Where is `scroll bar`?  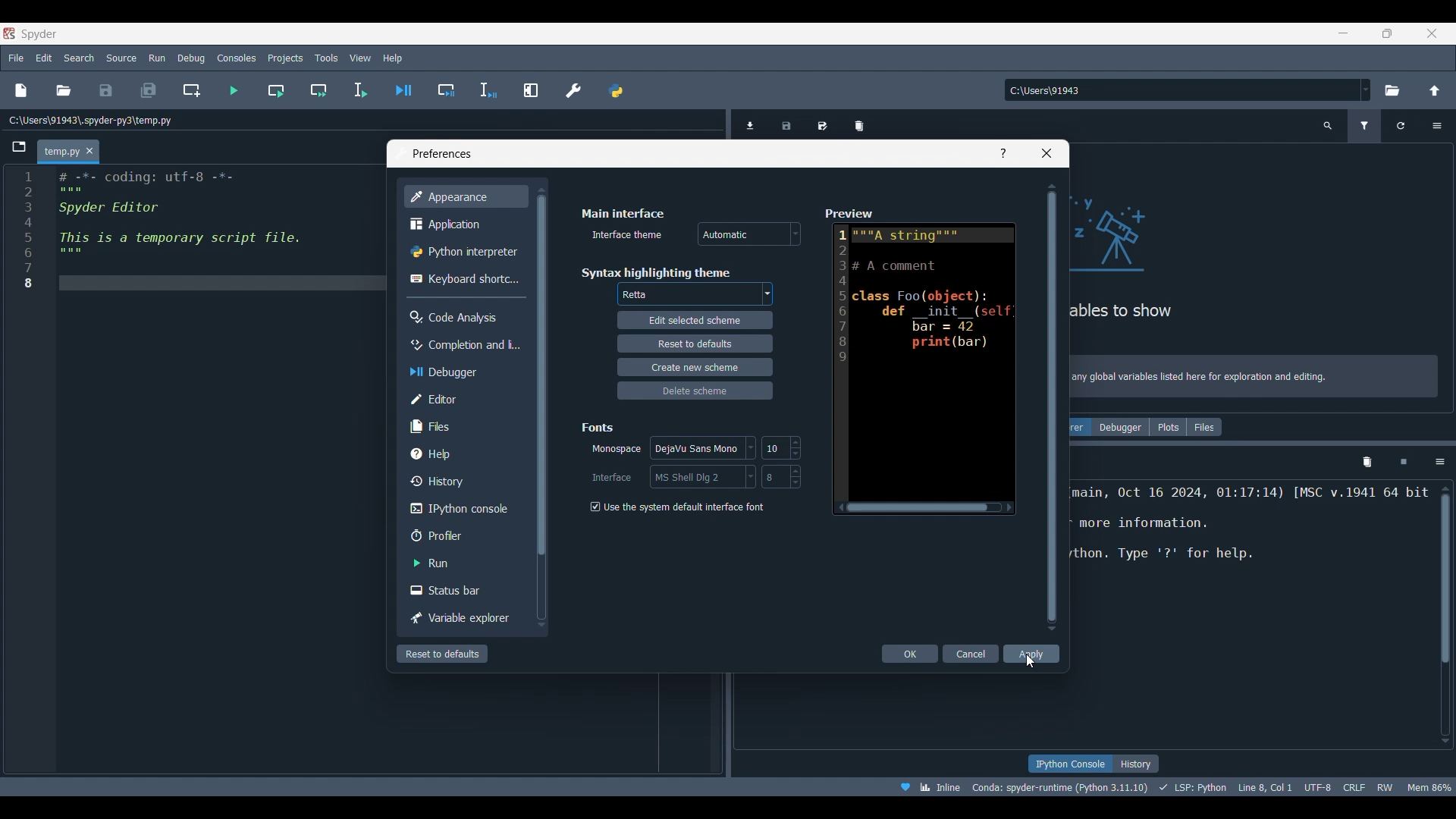 scroll bar is located at coordinates (1442, 613).